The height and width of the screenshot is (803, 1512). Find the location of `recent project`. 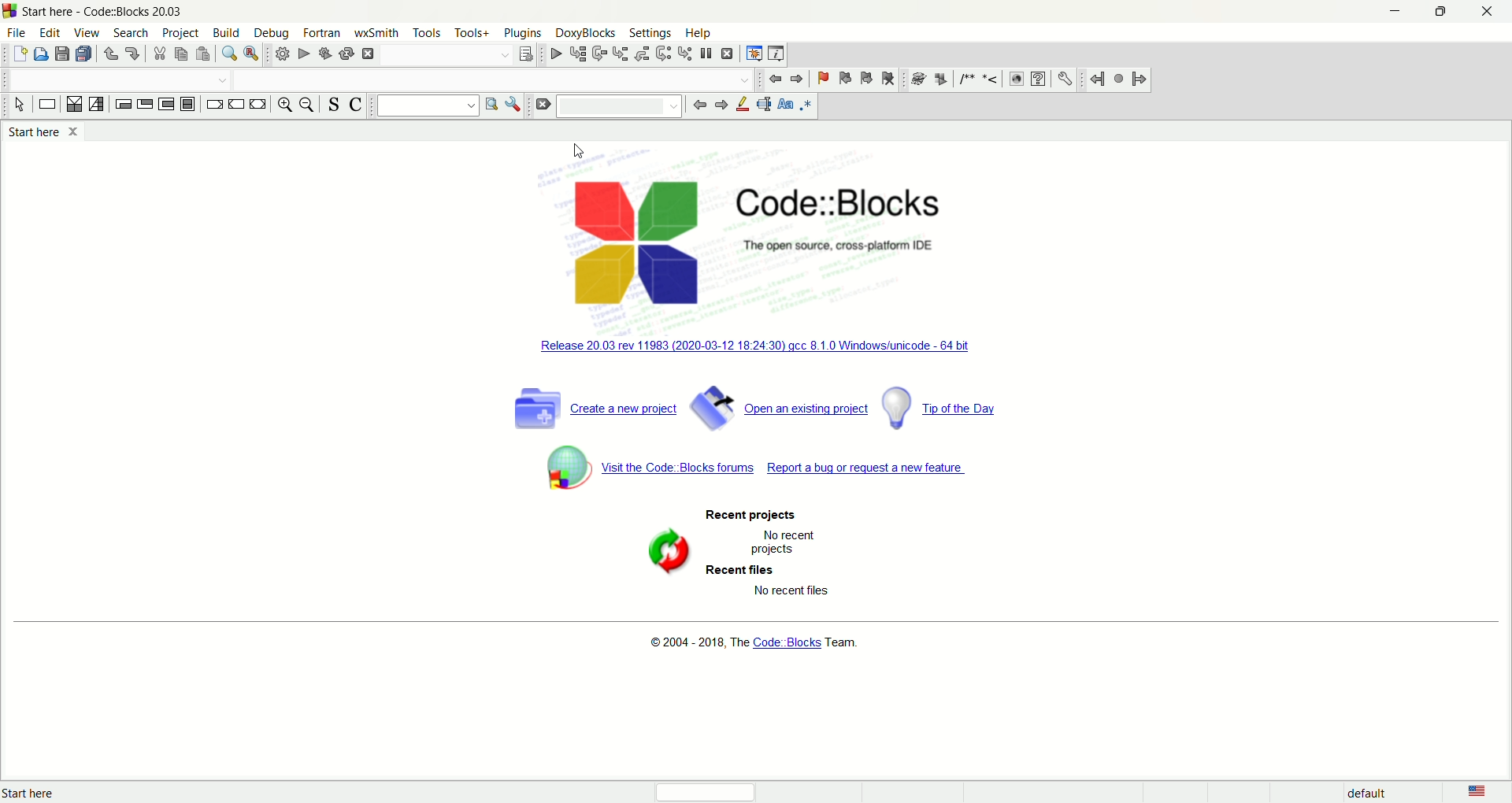

recent project is located at coordinates (760, 509).